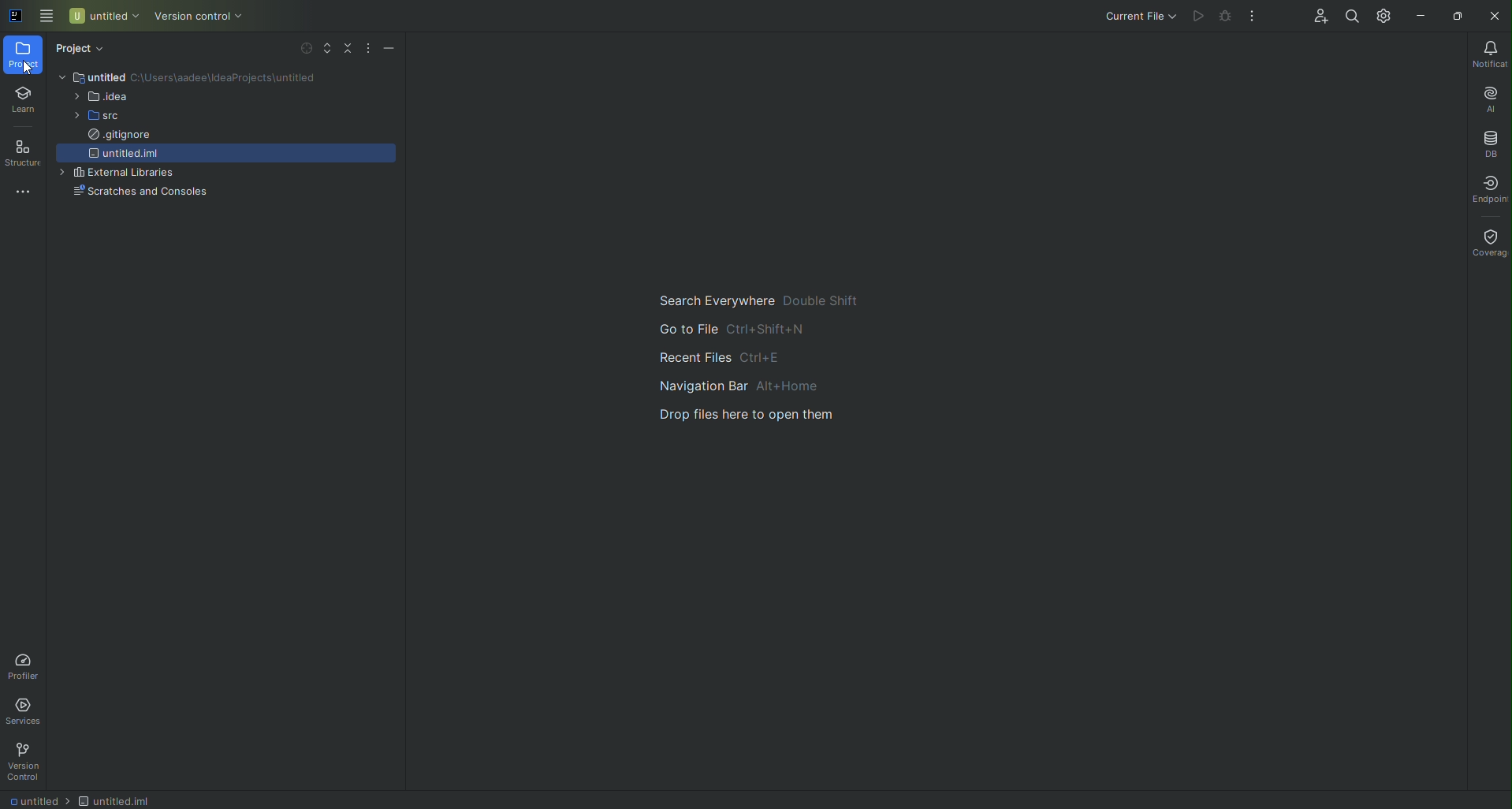 Image resolution: width=1512 pixels, height=809 pixels. What do you see at coordinates (93, 117) in the screenshot?
I see `src` at bounding box center [93, 117].